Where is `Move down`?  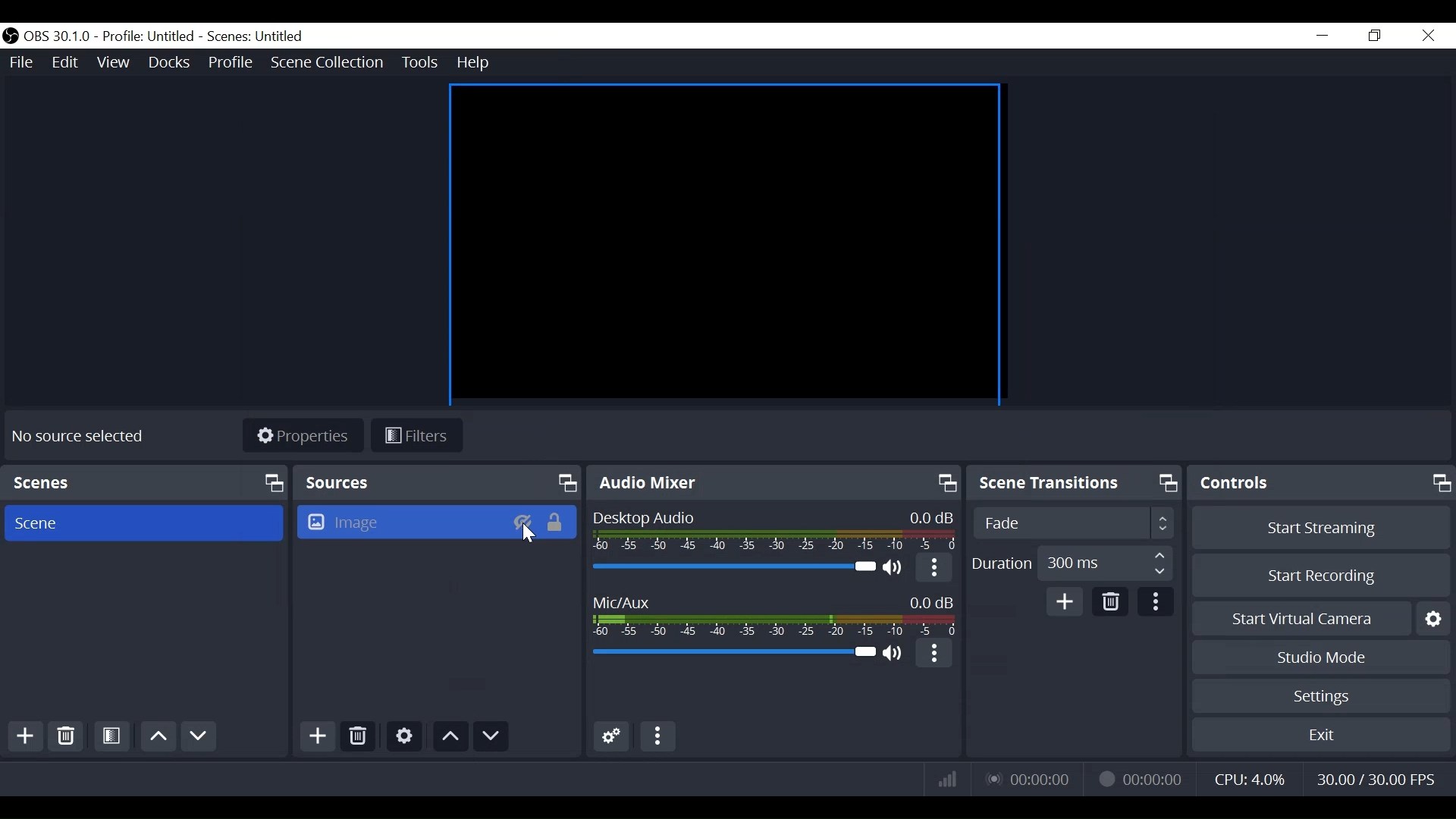
Move down is located at coordinates (491, 736).